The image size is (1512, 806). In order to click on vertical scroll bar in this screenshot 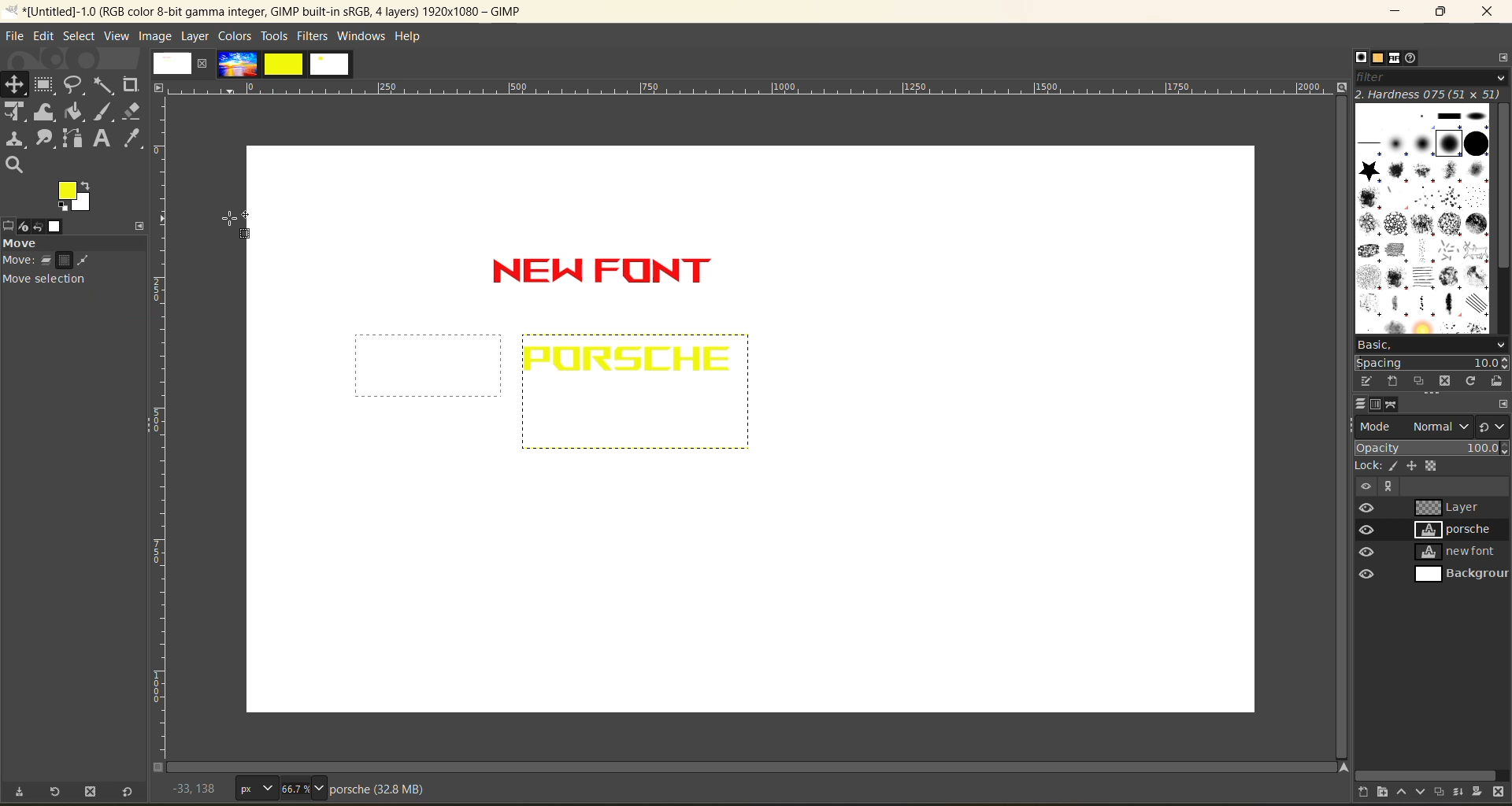, I will do `click(1336, 242)`.